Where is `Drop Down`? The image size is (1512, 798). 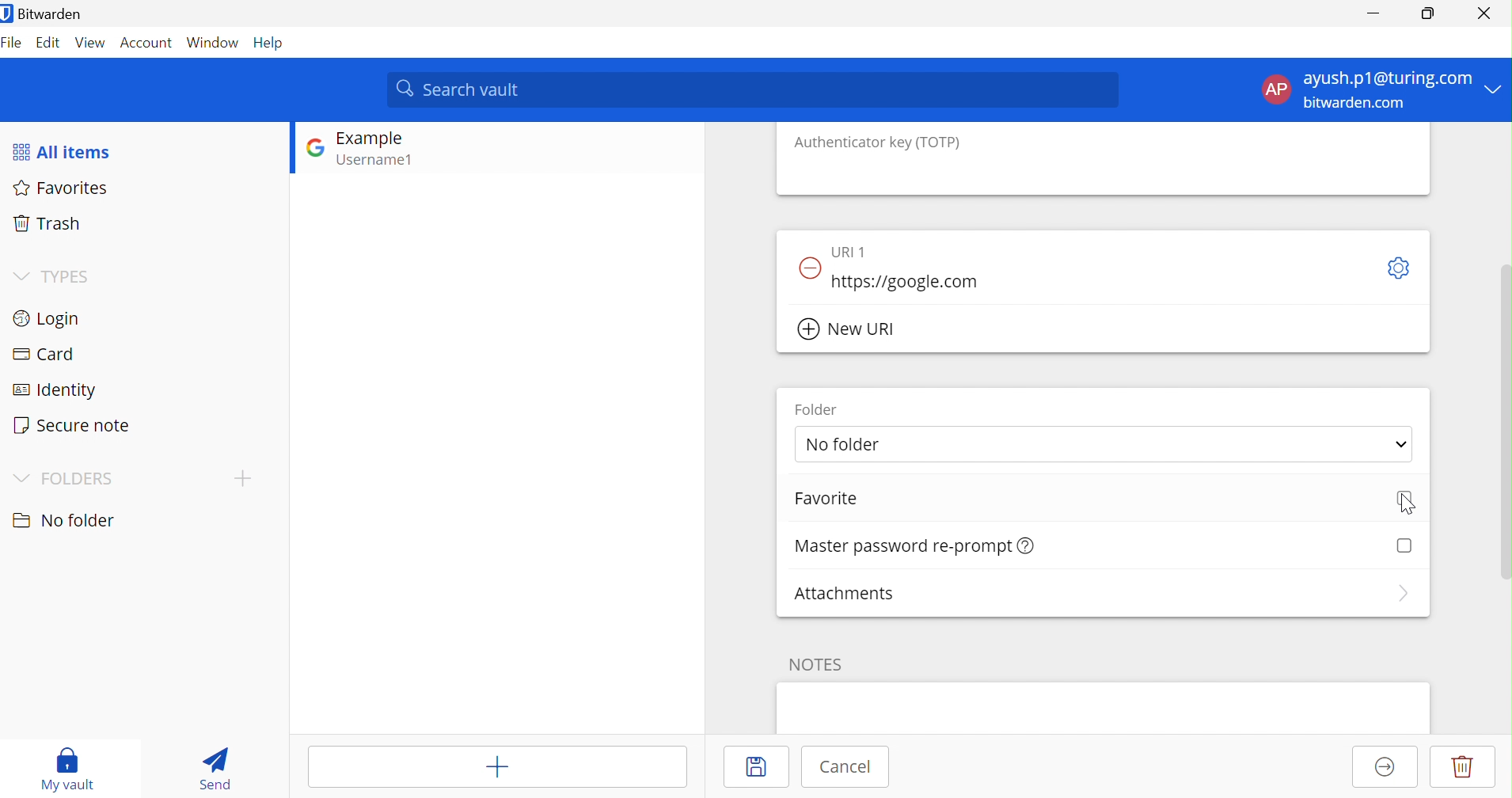
Drop Down is located at coordinates (1400, 442).